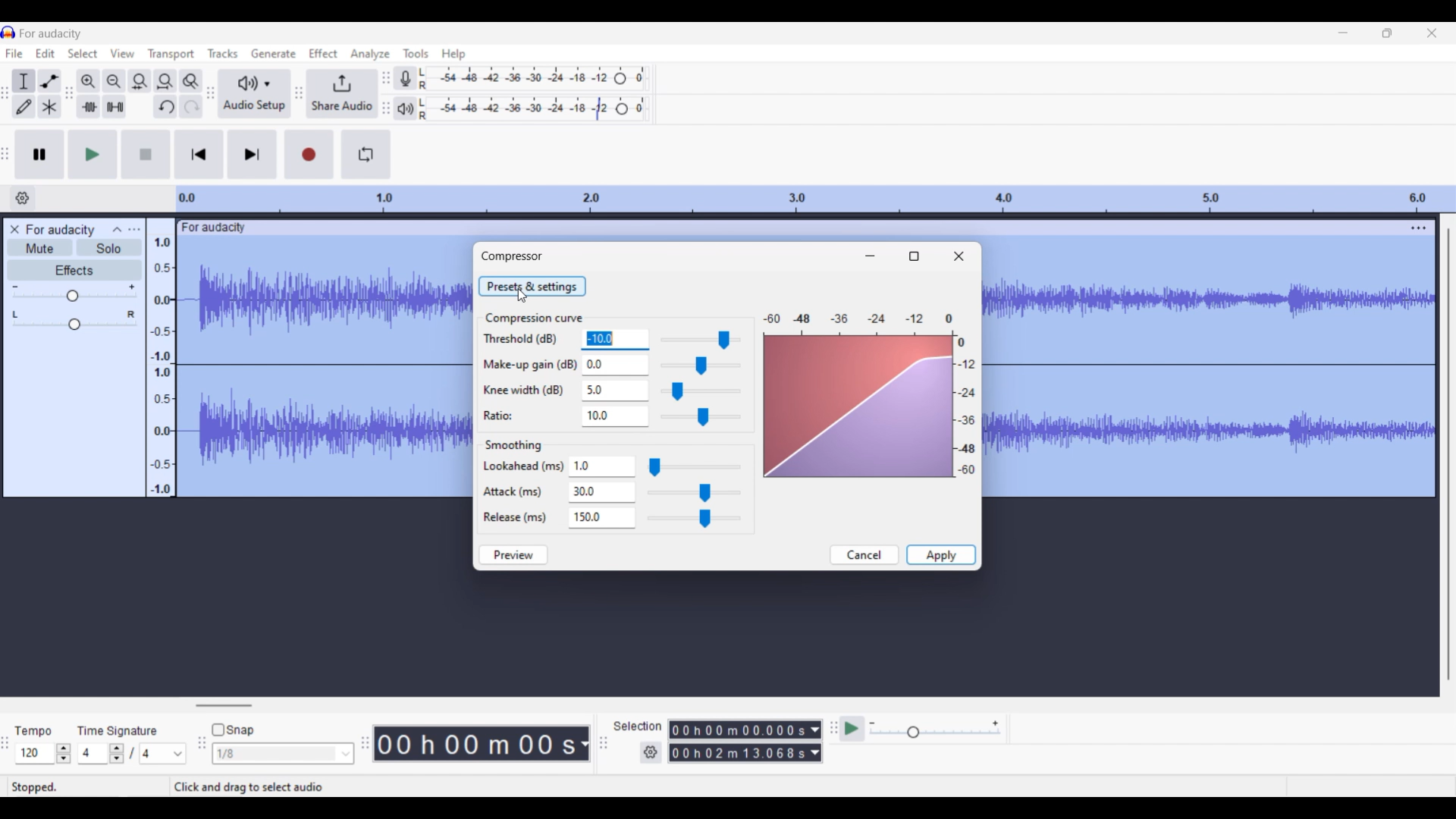  What do you see at coordinates (815, 199) in the screenshot?
I see `Scale to measure length of track` at bounding box center [815, 199].